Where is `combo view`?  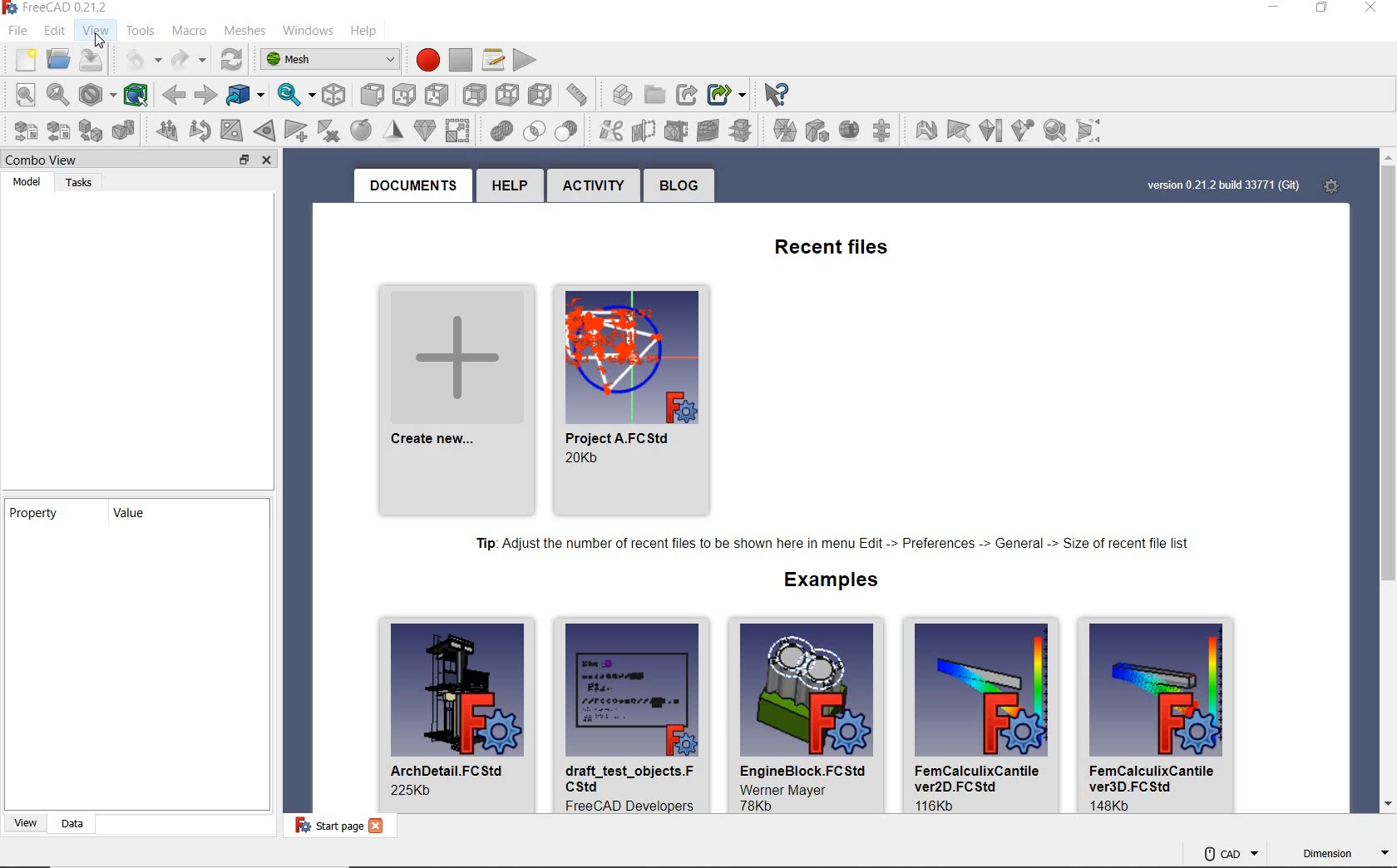 combo view is located at coordinates (95, 157).